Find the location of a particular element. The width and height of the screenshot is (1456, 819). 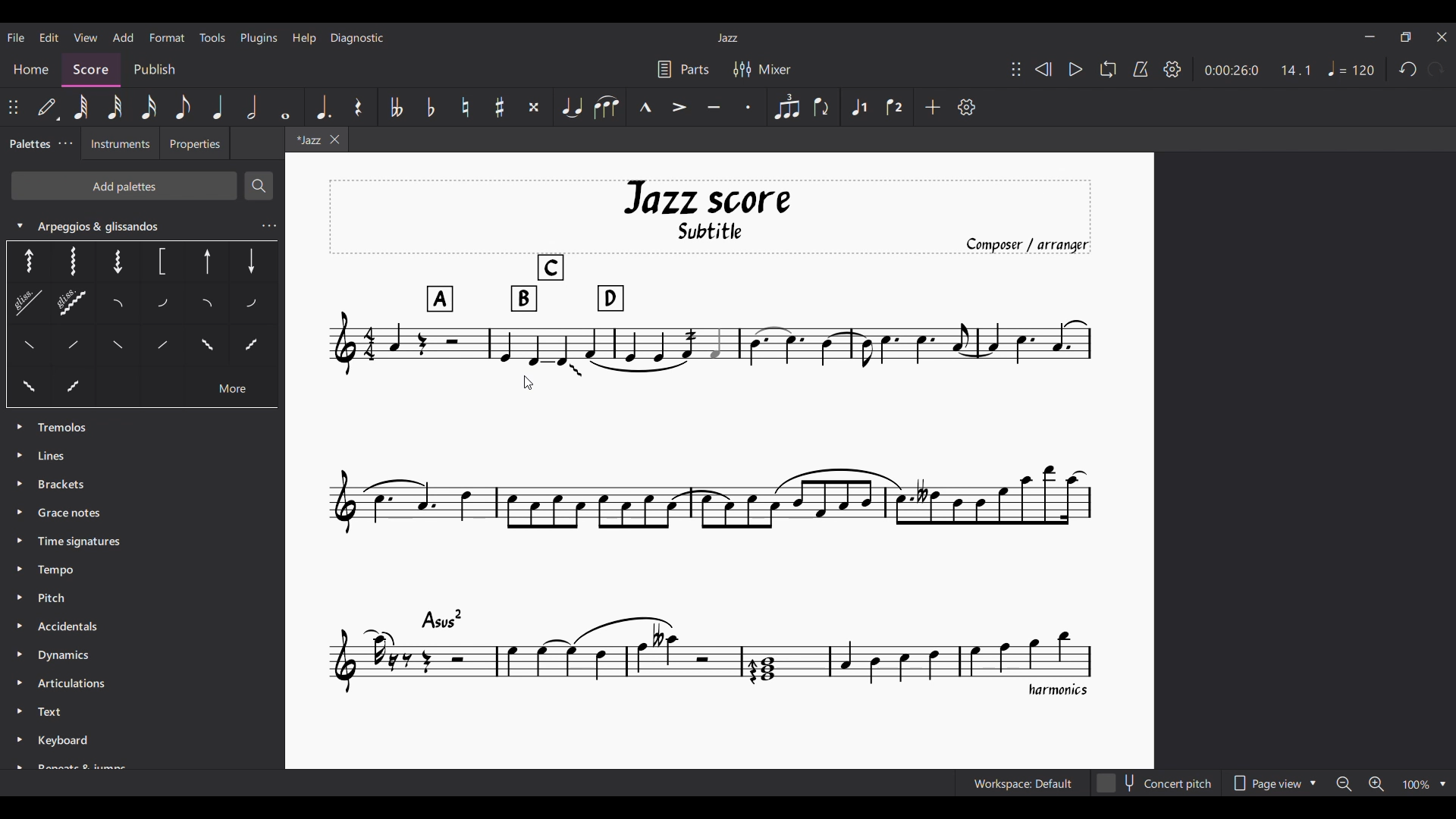

Palate 13 is located at coordinates (122, 350).